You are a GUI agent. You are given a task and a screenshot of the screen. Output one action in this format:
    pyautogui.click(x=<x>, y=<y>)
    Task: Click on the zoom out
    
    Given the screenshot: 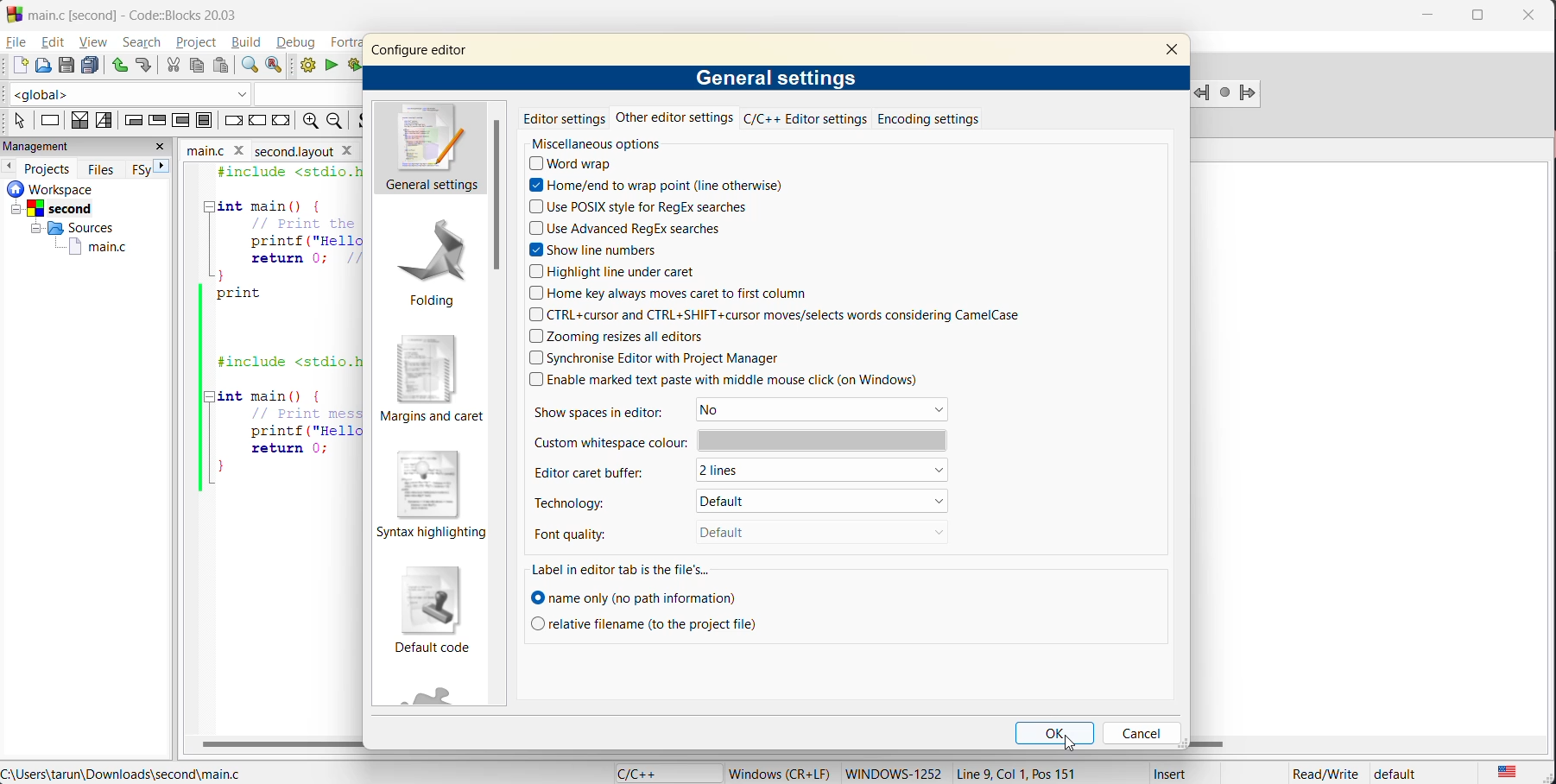 What is the action you would take?
    pyautogui.click(x=310, y=122)
    